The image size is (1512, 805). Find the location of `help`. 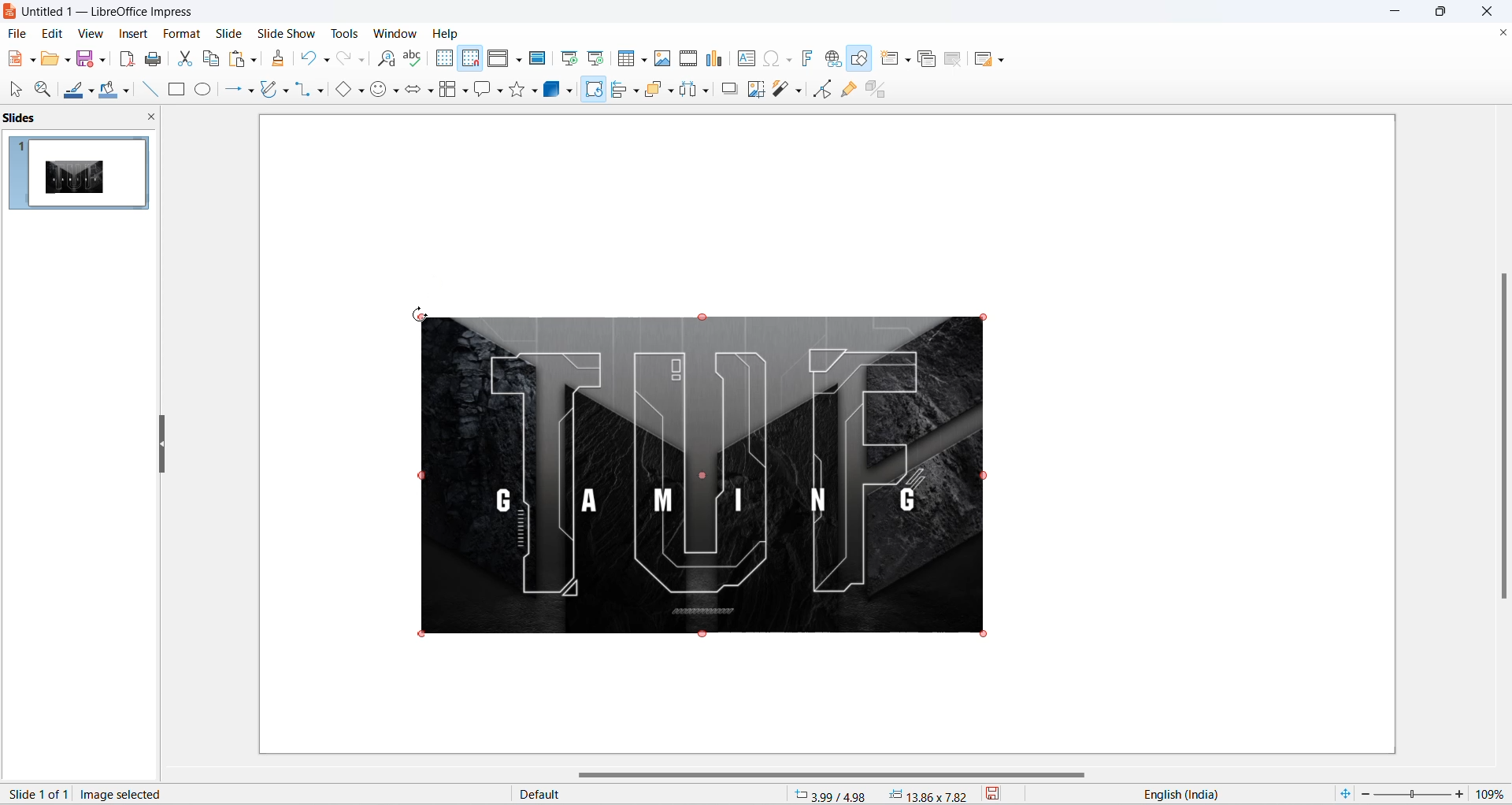

help is located at coordinates (447, 33).